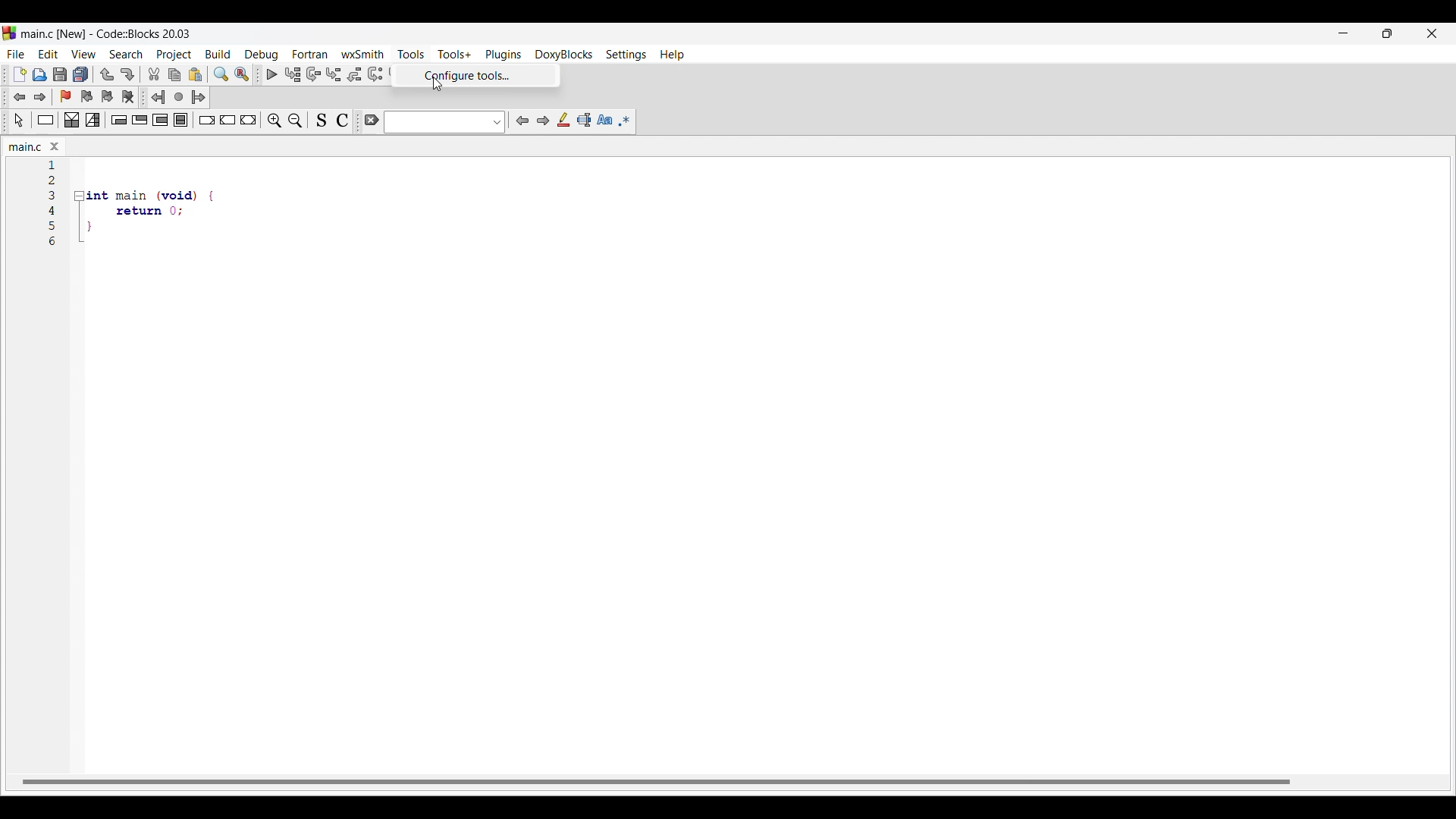 This screenshot has width=1456, height=819. What do you see at coordinates (140, 120) in the screenshot?
I see `Exit condition` at bounding box center [140, 120].